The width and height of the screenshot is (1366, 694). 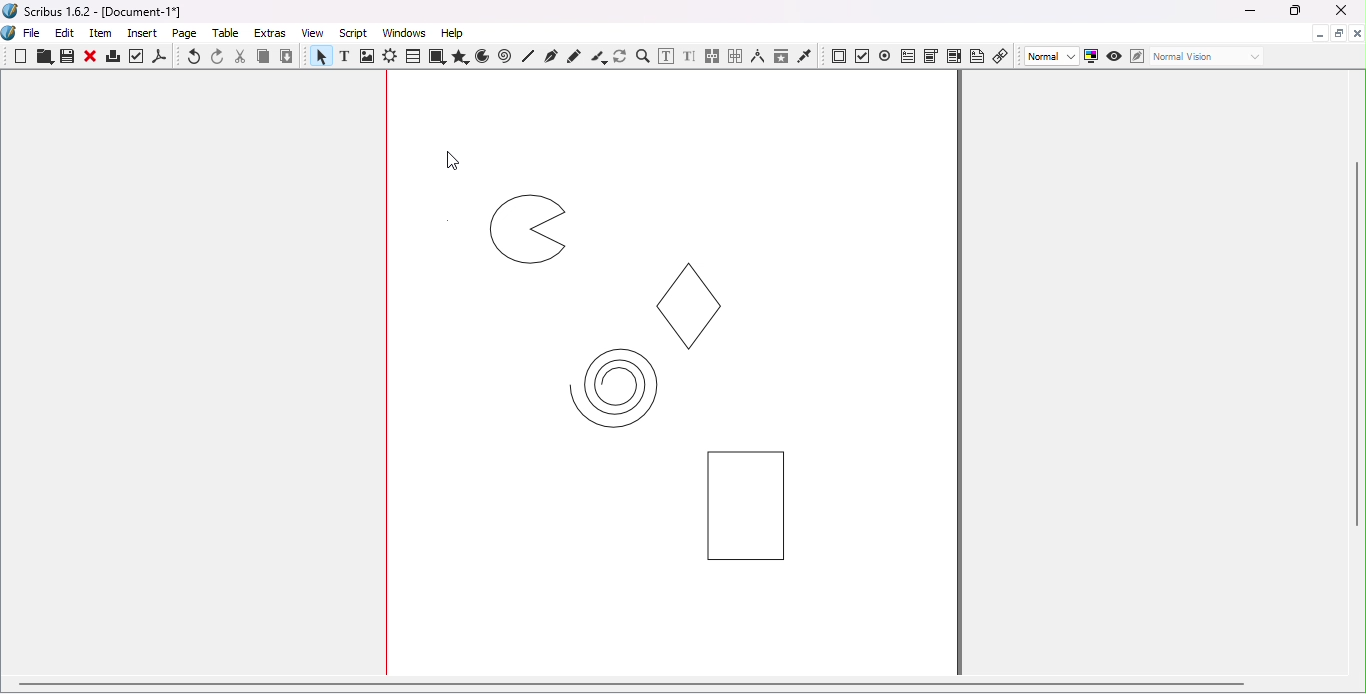 I want to click on Print, so click(x=112, y=59).